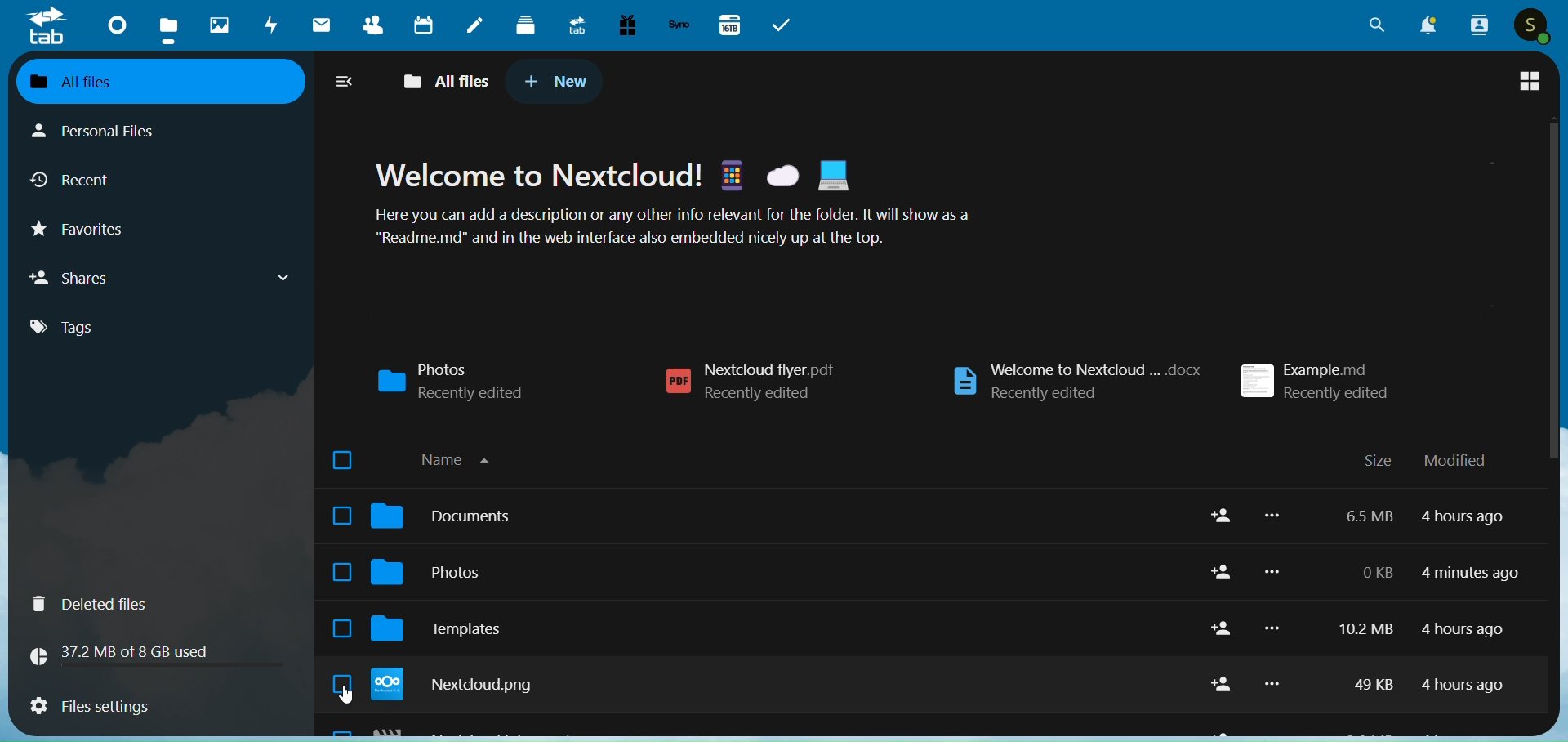 The width and height of the screenshot is (1568, 742). What do you see at coordinates (782, 176) in the screenshot?
I see `Cloud emoji` at bounding box center [782, 176].